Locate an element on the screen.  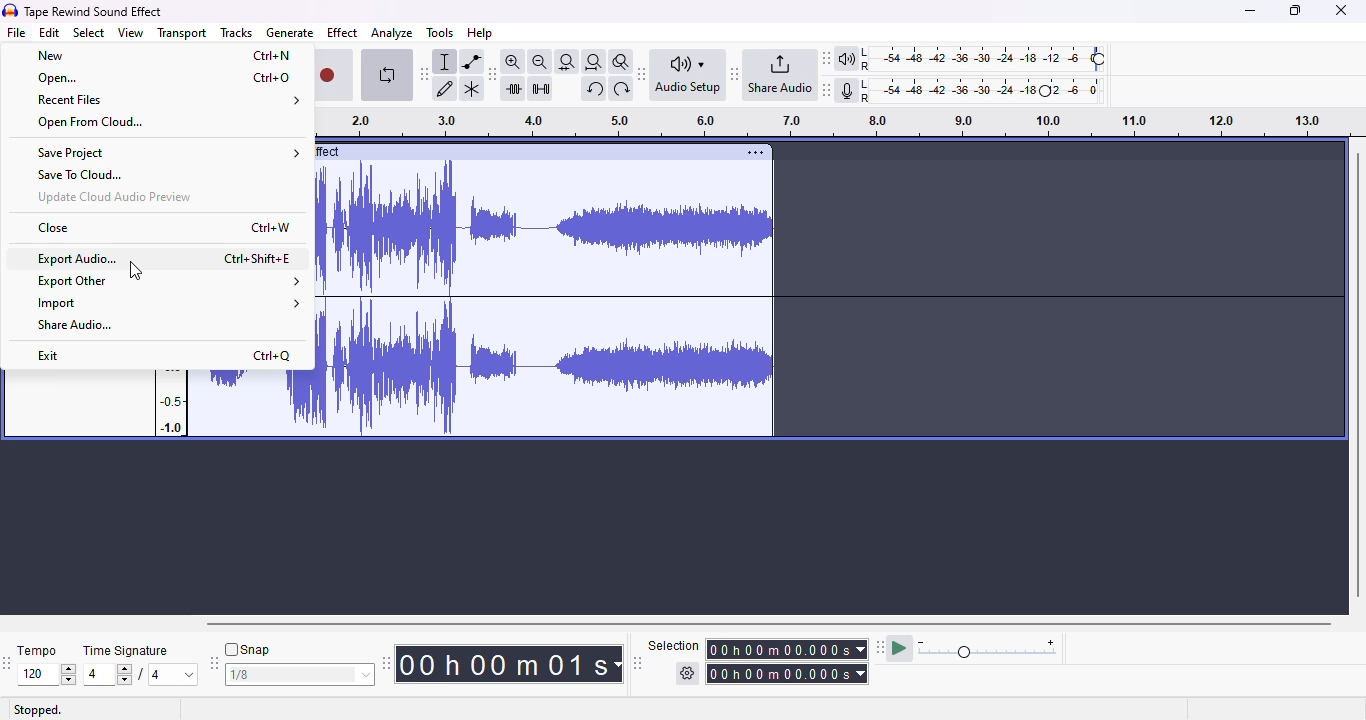
audacity play-at-speed toolbar is located at coordinates (971, 647).